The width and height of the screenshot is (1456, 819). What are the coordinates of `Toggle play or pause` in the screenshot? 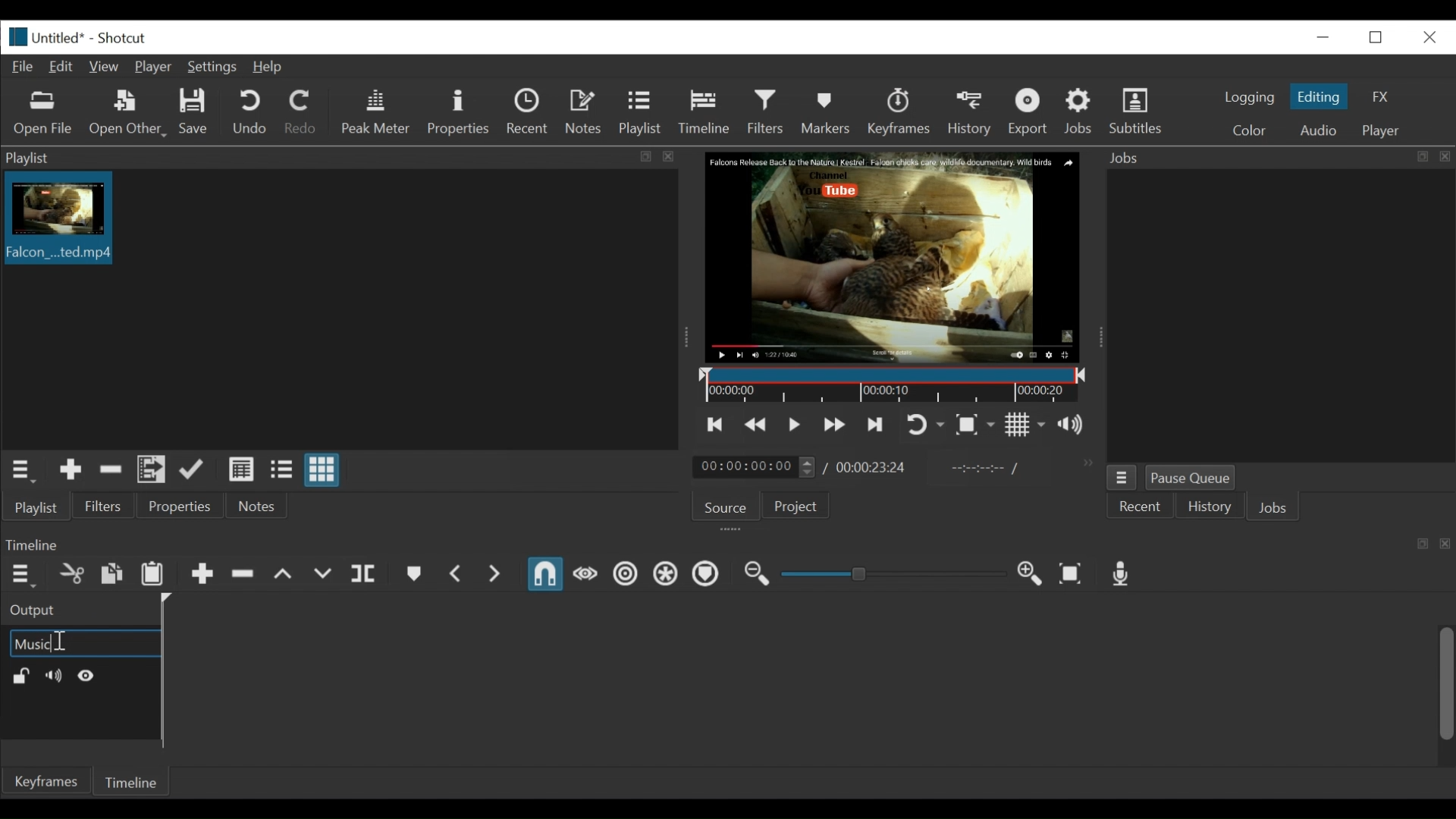 It's located at (795, 425).